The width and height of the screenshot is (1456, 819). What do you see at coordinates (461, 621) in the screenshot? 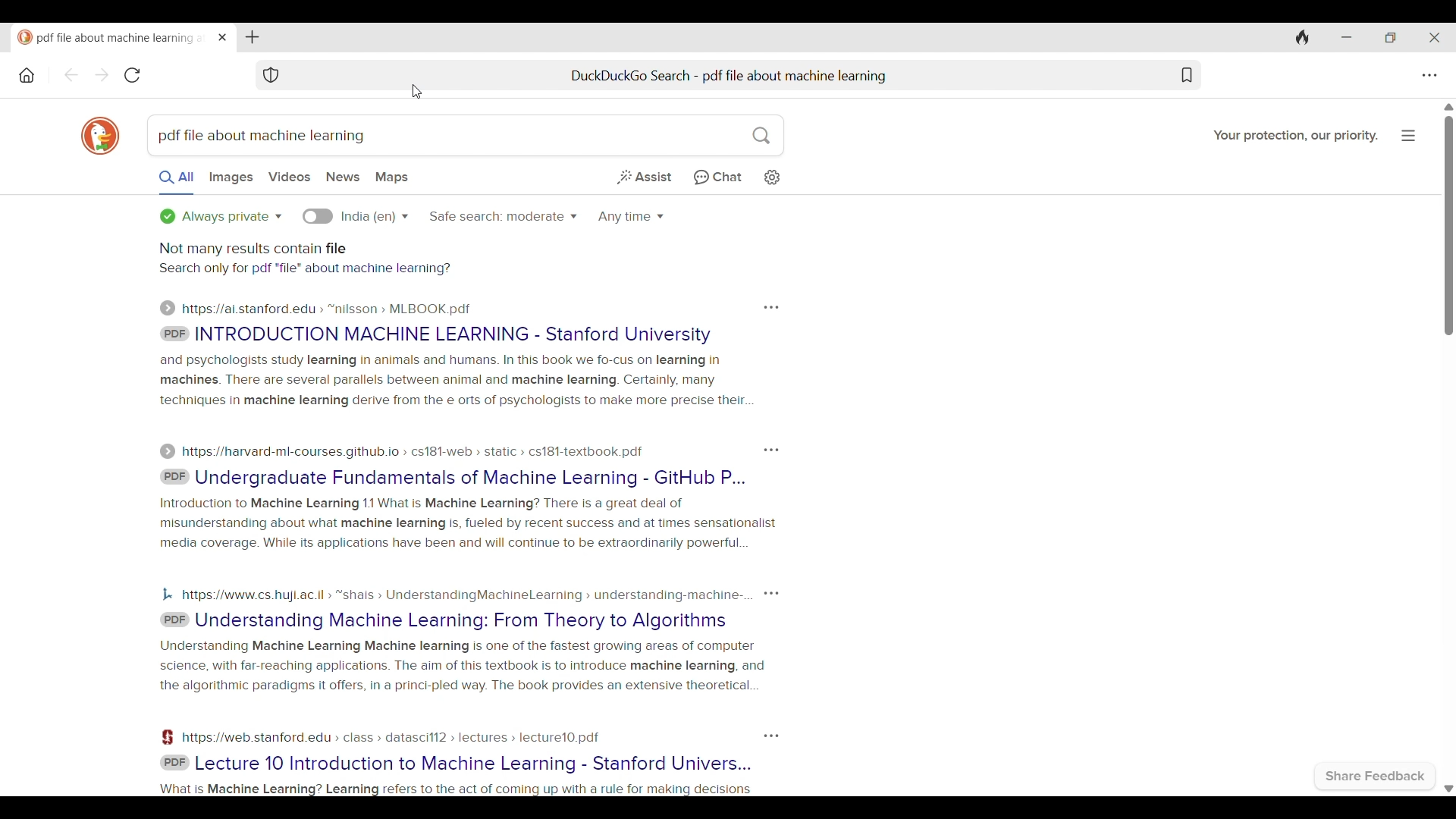
I see `Understanding Machine Learning: From Theory to Algorithms` at bounding box center [461, 621].